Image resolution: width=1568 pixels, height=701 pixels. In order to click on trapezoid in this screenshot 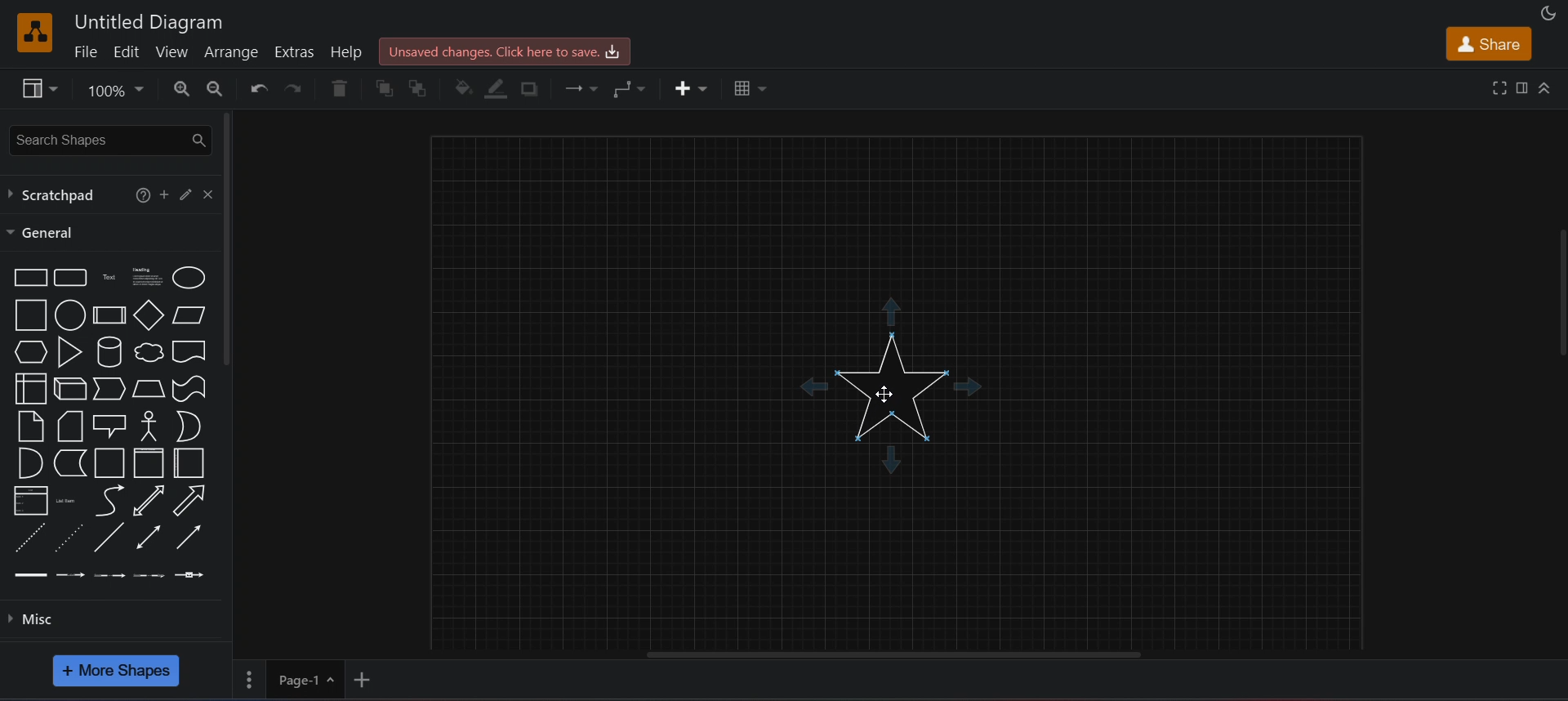, I will do `click(148, 388)`.